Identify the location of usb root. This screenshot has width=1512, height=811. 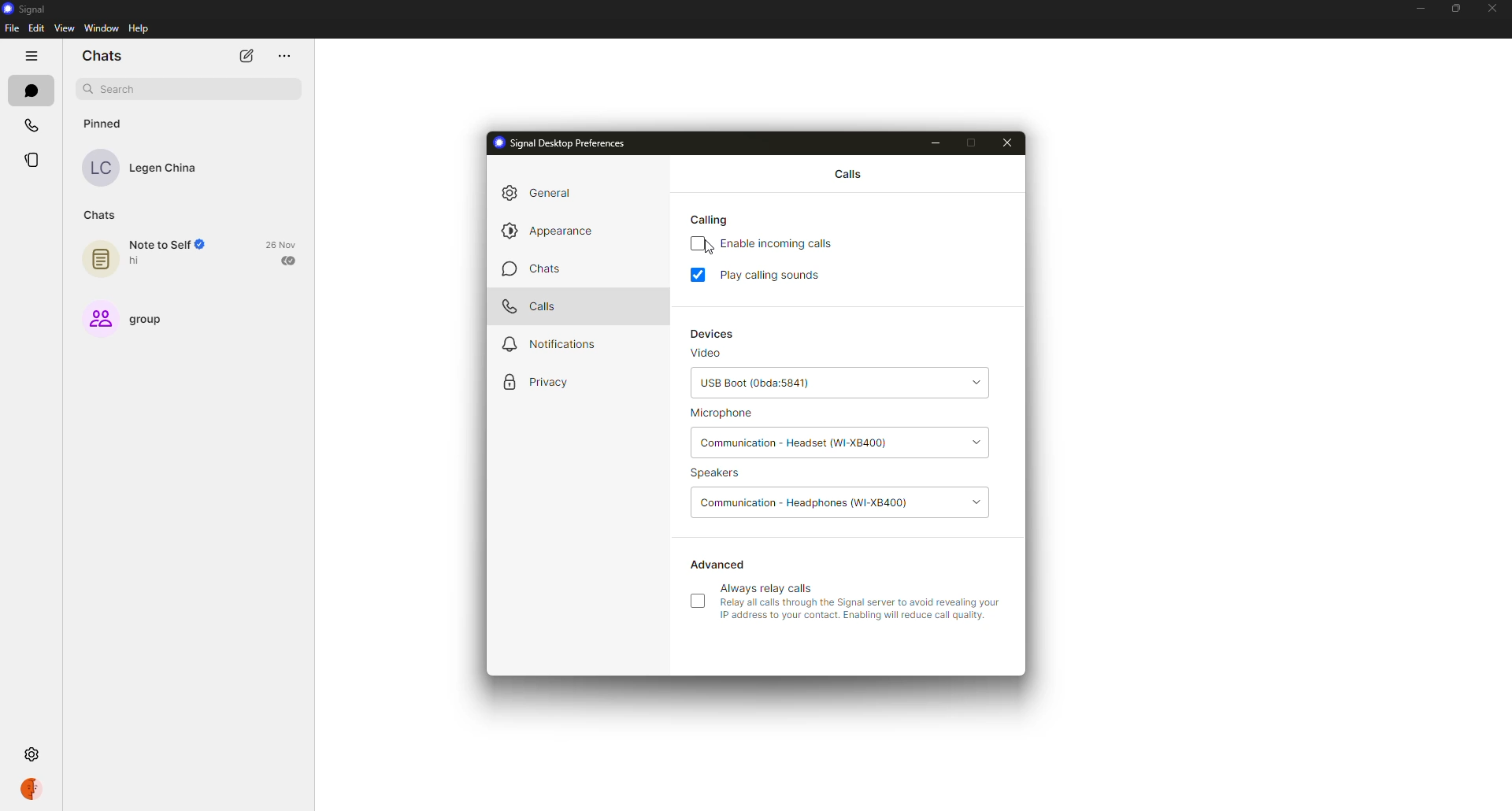
(755, 383).